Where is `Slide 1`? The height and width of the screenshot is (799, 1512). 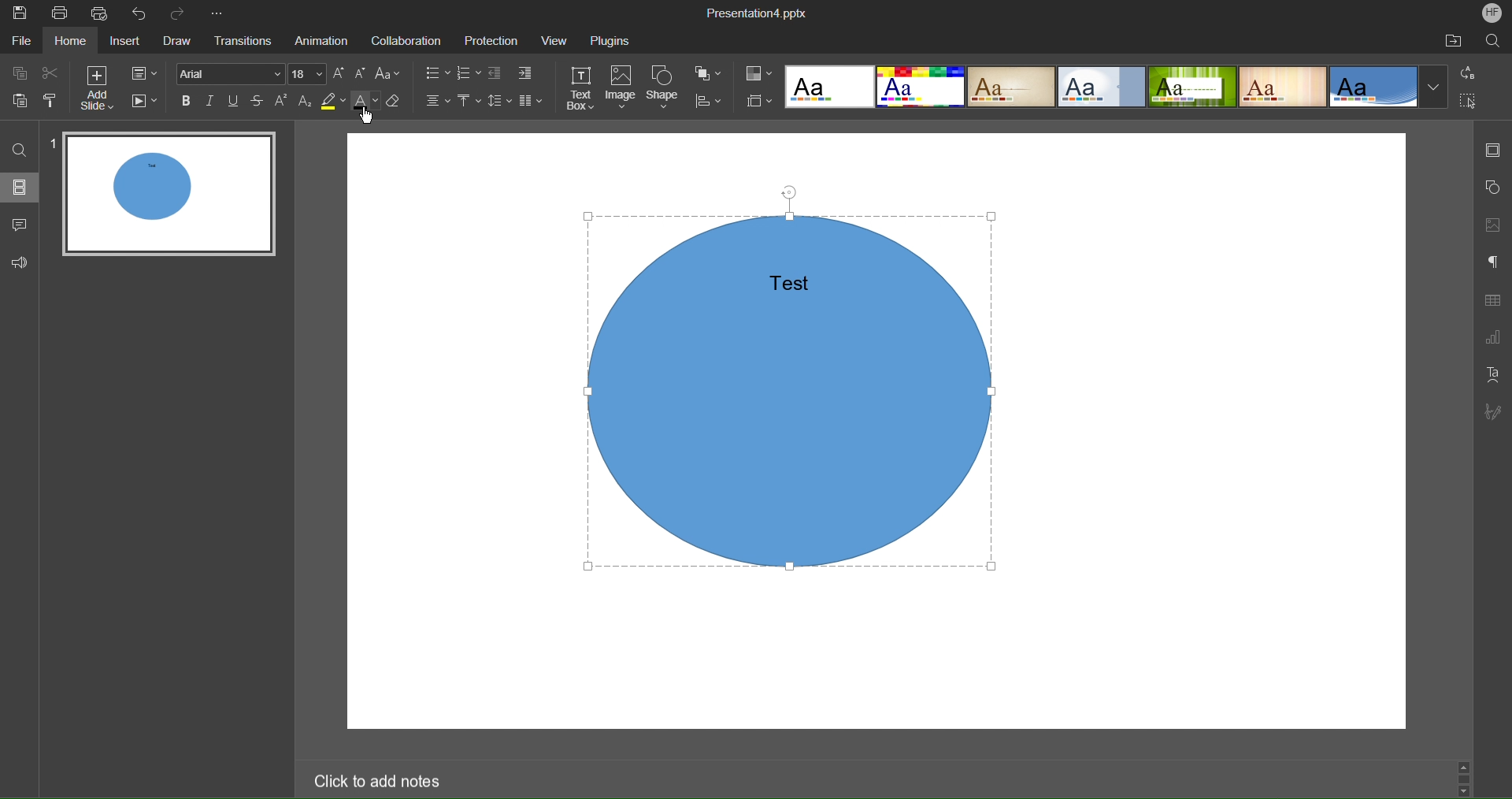 Slide 1 is located at coordinates (171, 196).